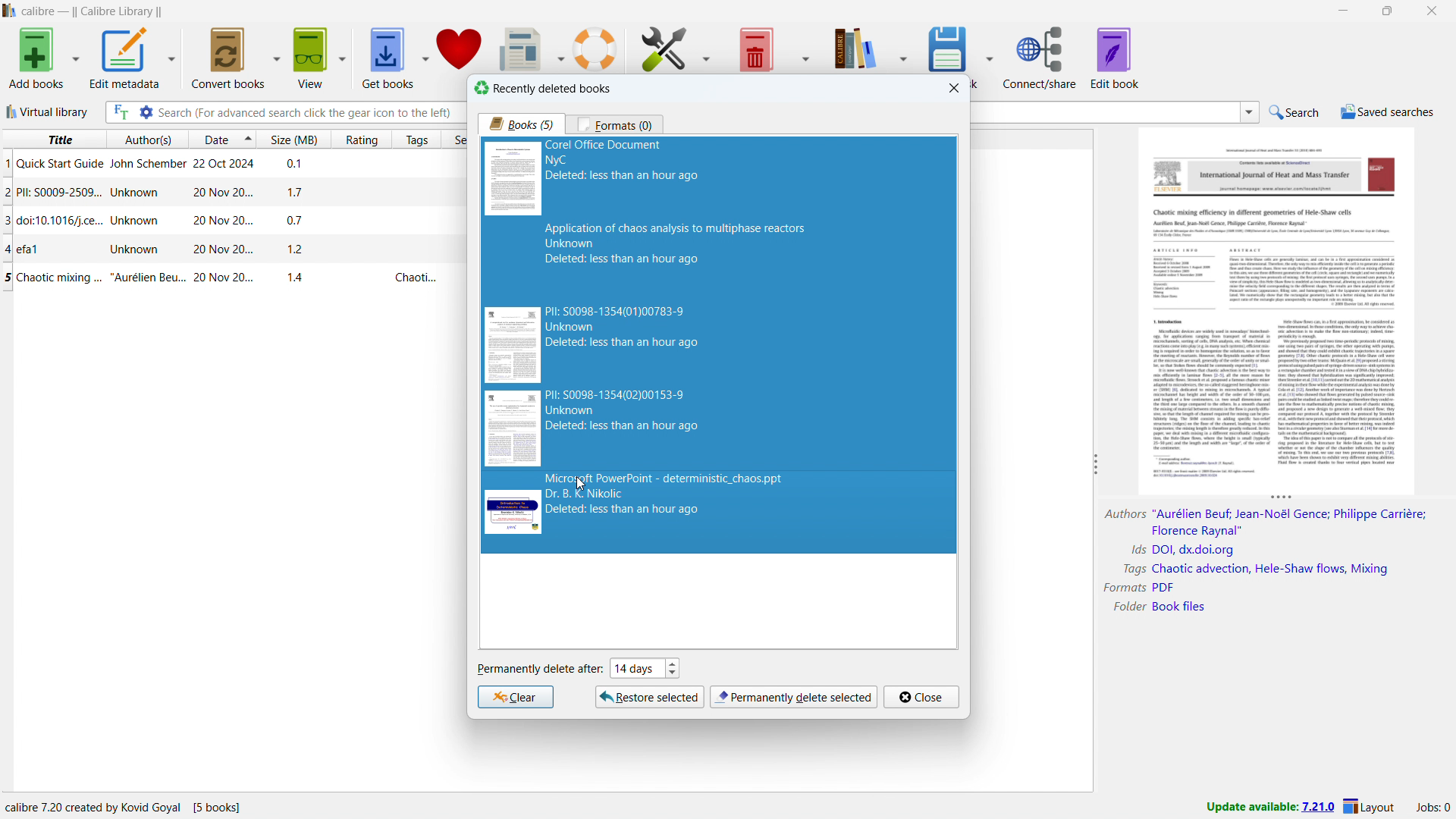 The height and width of the screenshot is (819, 1456). I want to click on formats, so click(615, 124).